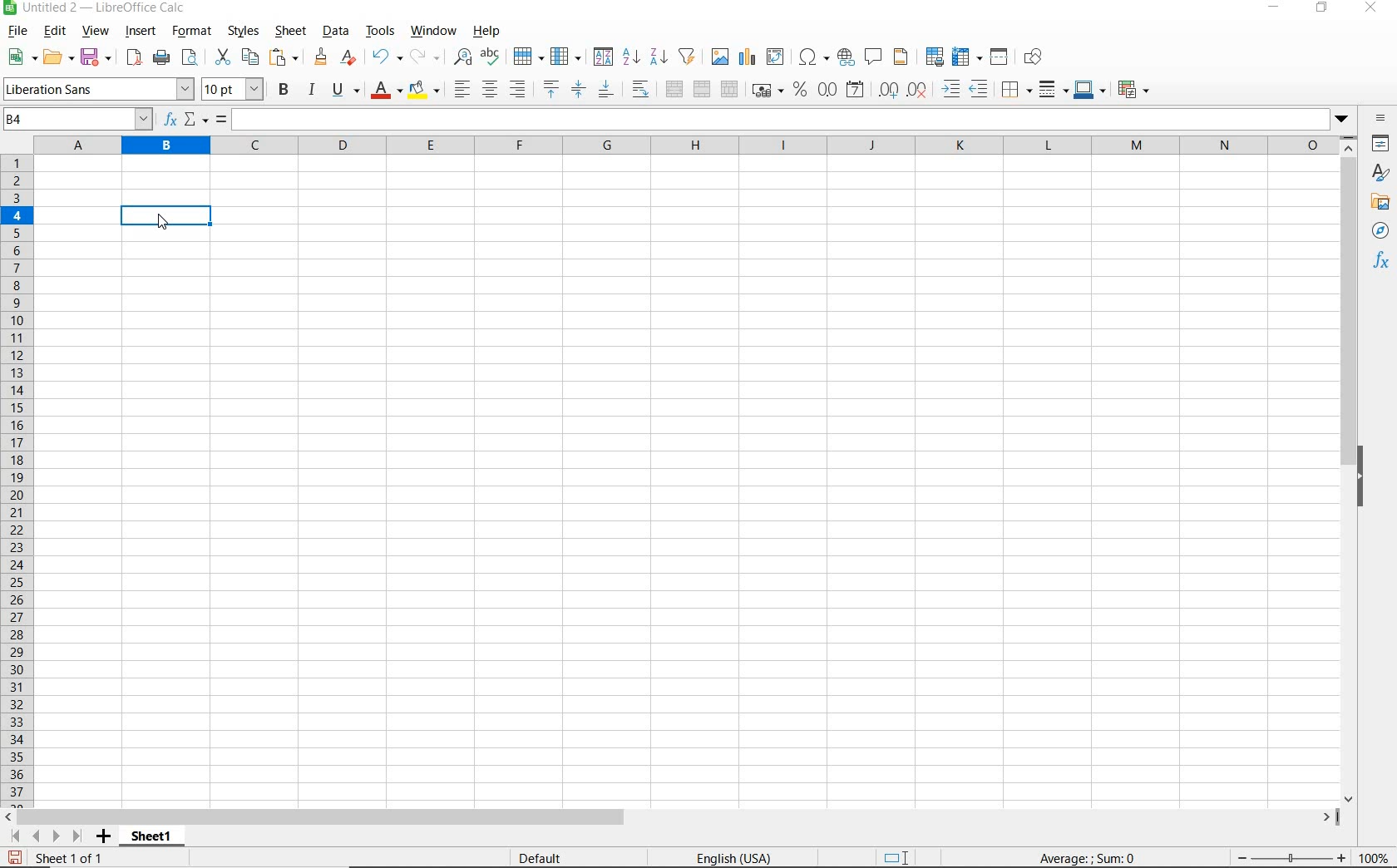 The width and height of the screenshot is (1397, 868). What do you see at coordinates (1350, 471) in the screenshot?
I see `scrollbar` at bounding box center [1350, 471].